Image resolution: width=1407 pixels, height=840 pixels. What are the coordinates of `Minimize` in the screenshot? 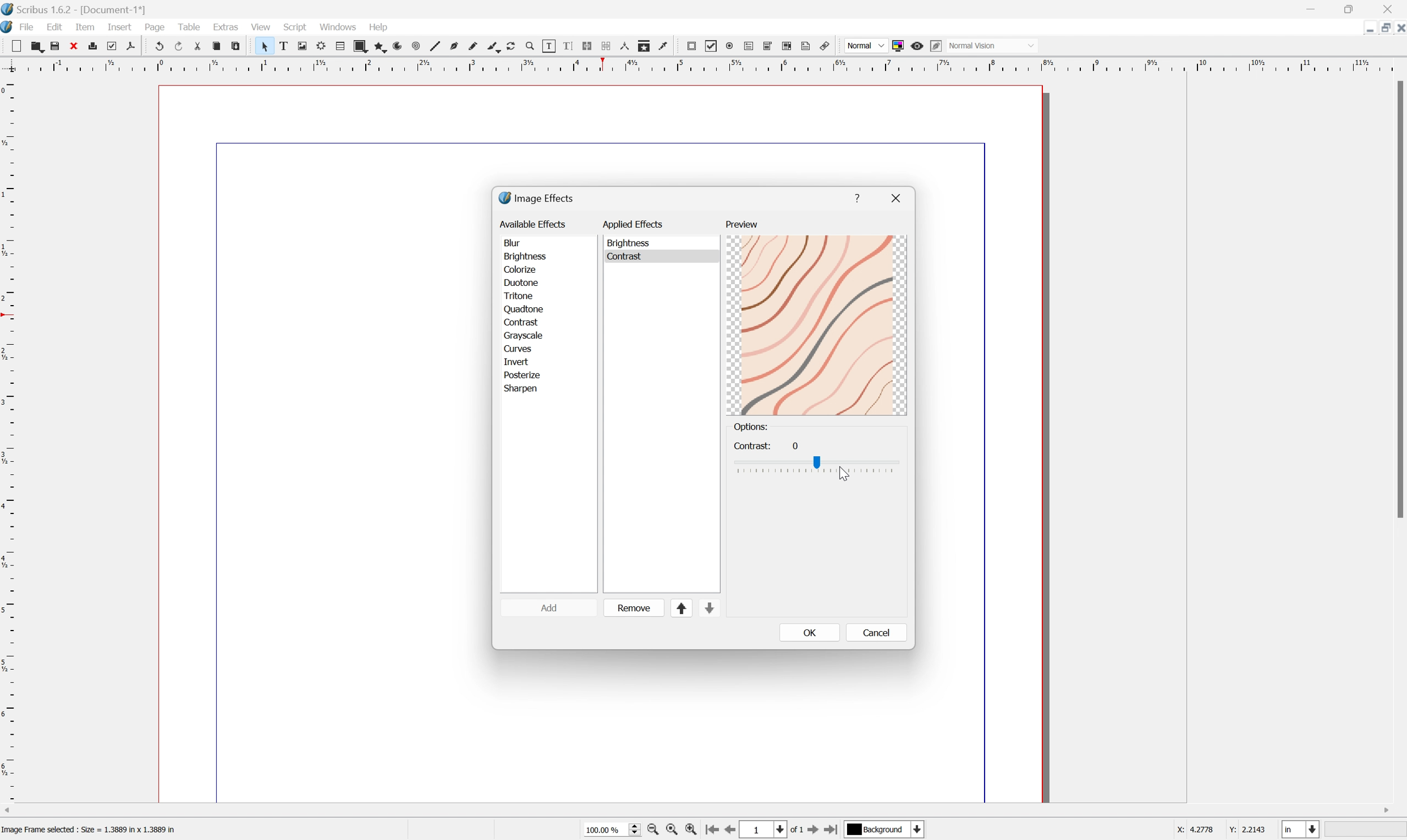 It's located at (1386, 29).